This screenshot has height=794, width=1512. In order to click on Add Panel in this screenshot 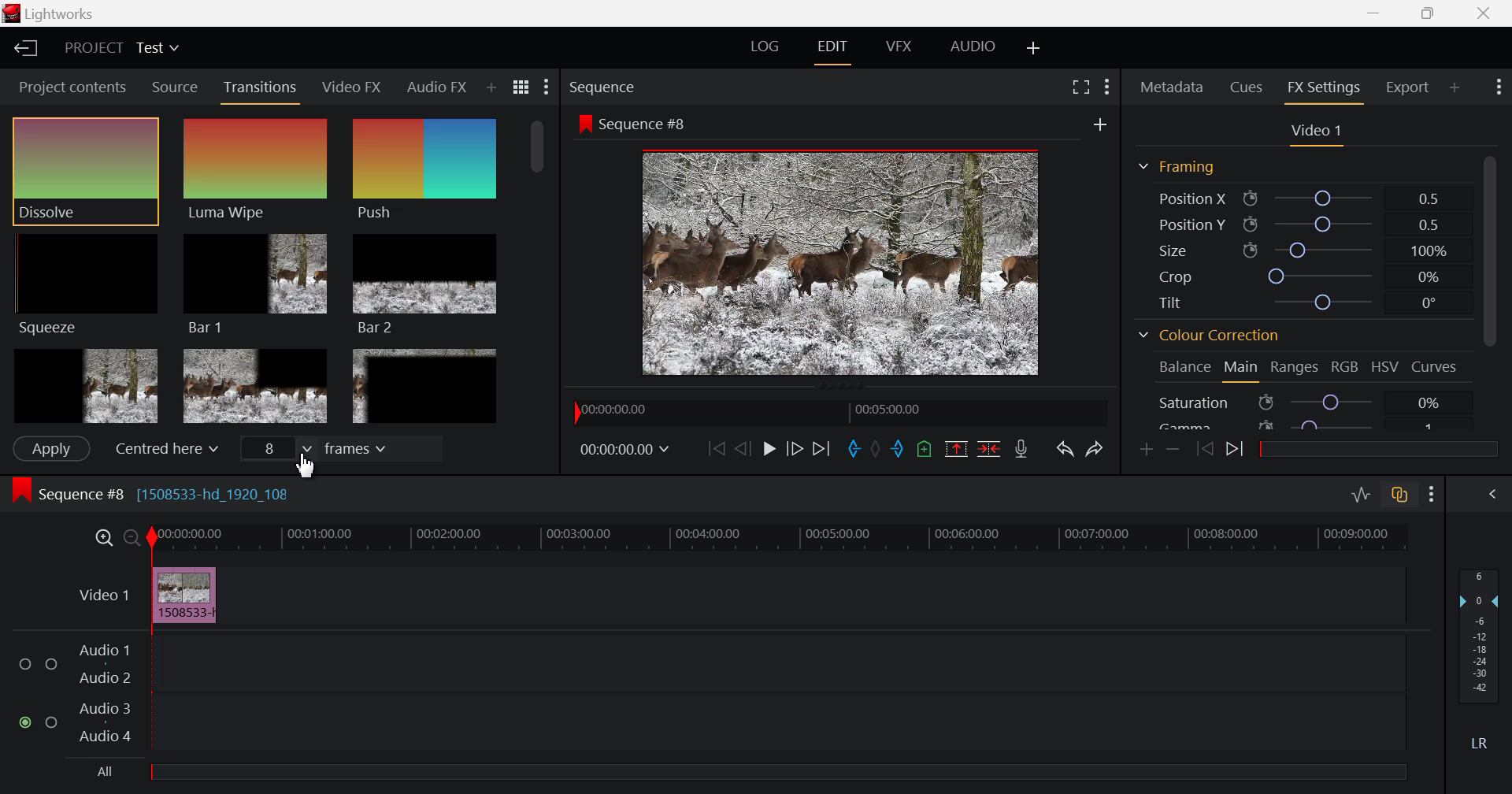, I will do `click(1454, 86)`.